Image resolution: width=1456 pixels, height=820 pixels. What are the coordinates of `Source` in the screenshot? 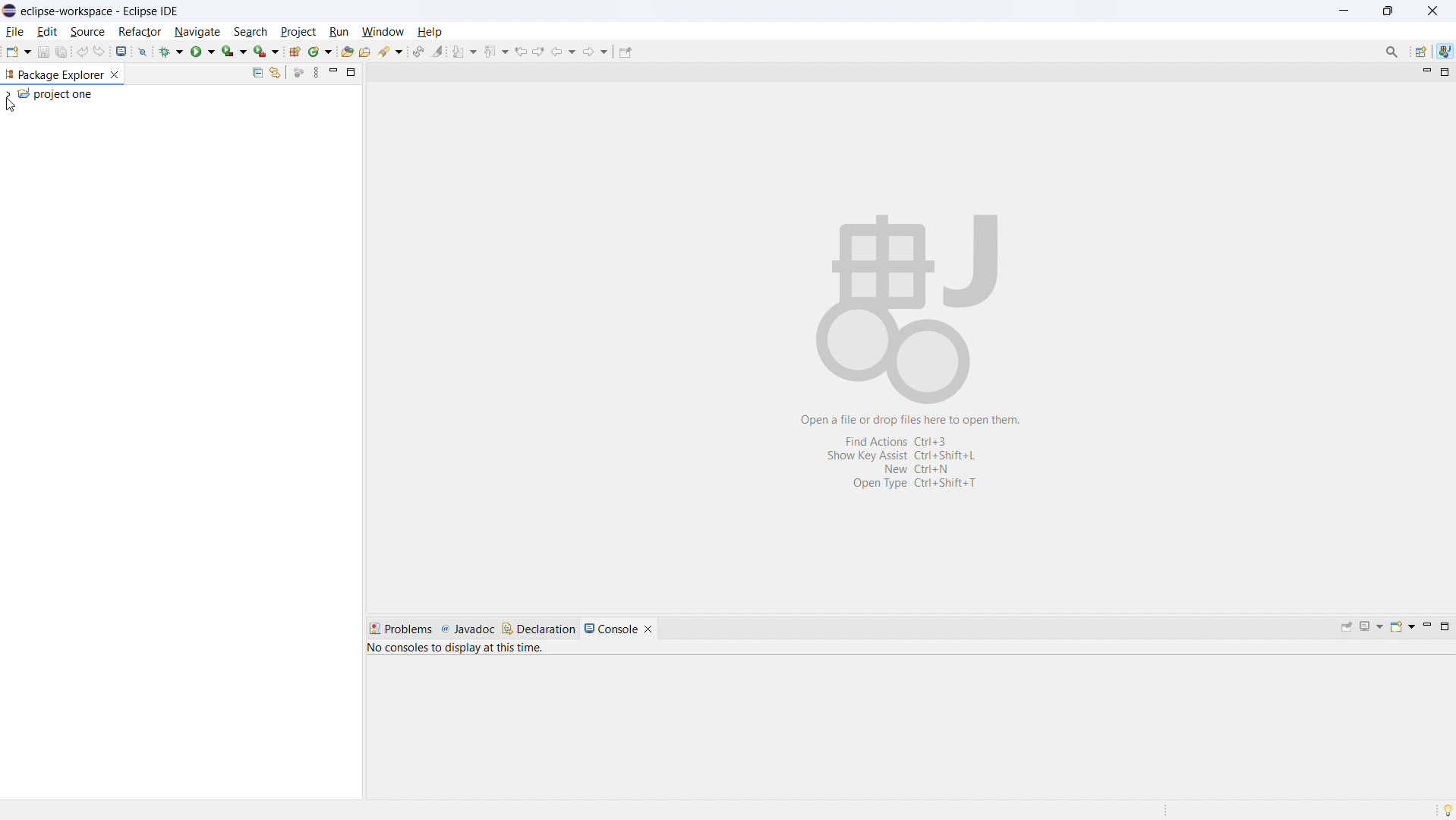 It's located at (88, 30).